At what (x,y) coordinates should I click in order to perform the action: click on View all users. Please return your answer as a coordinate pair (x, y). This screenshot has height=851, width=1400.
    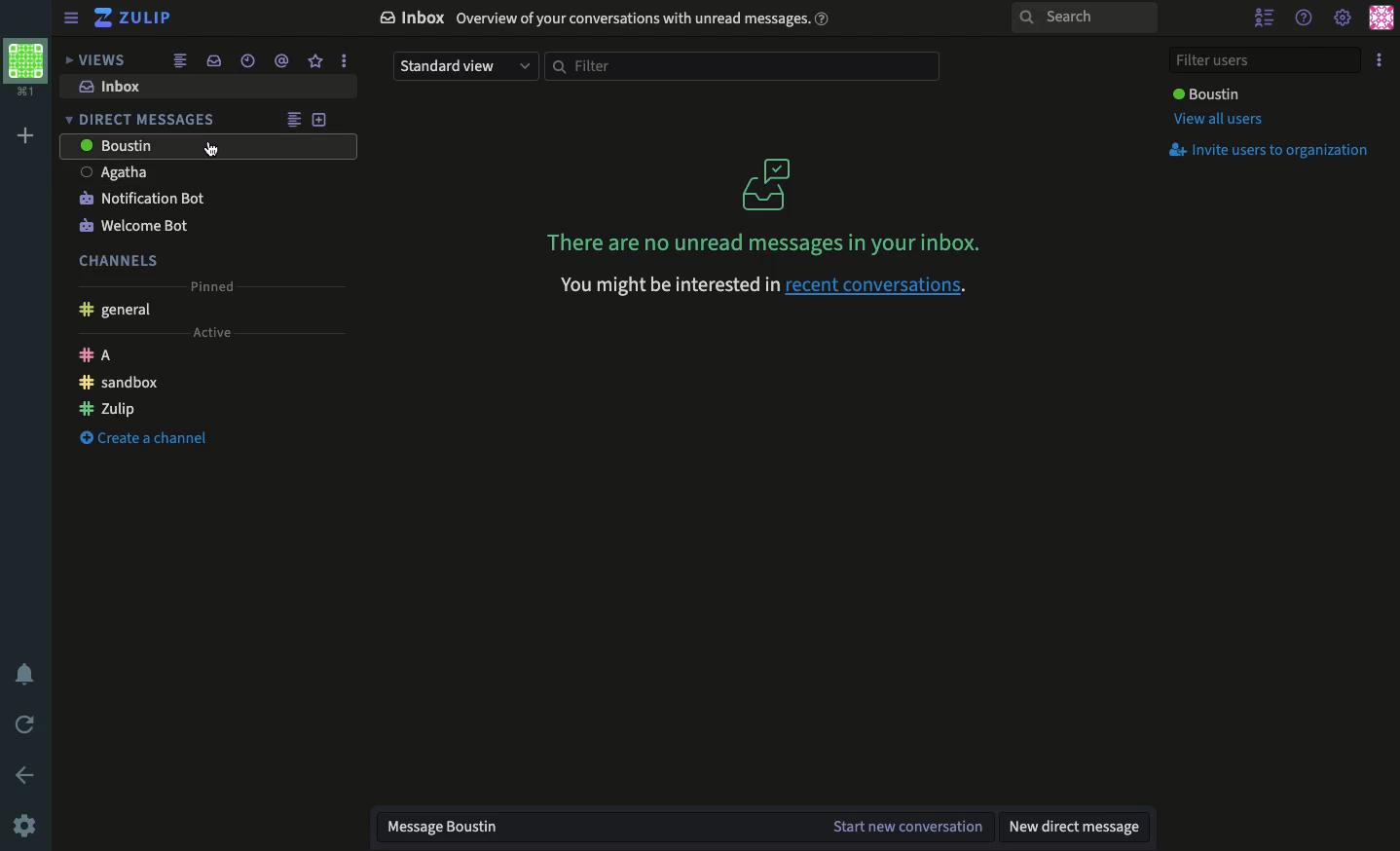
    Looking at the image, I should click on (1217, 120).